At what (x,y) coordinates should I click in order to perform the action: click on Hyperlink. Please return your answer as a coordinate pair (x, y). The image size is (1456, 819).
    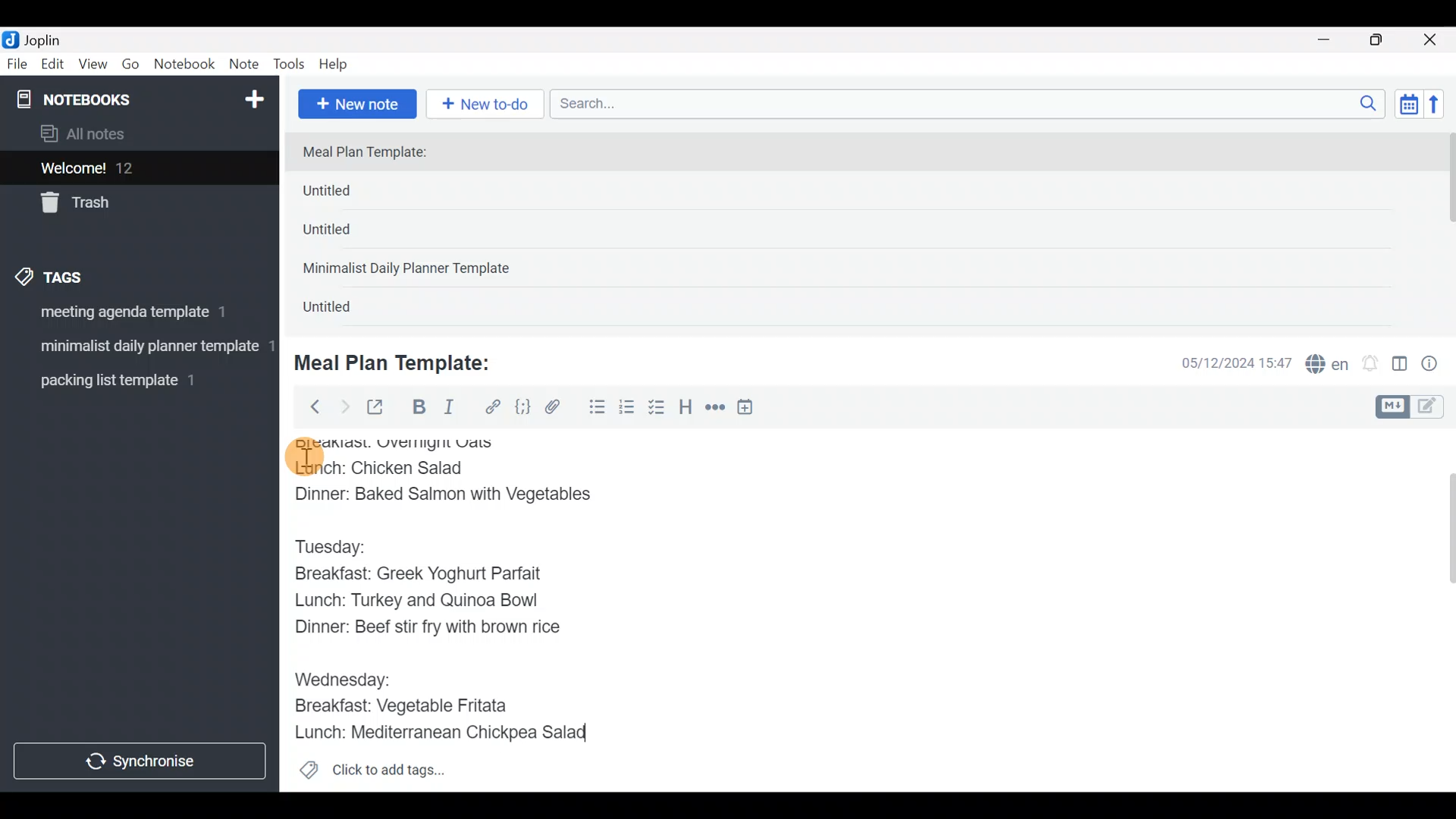
    Looking at the image, I should click on (493, 407).